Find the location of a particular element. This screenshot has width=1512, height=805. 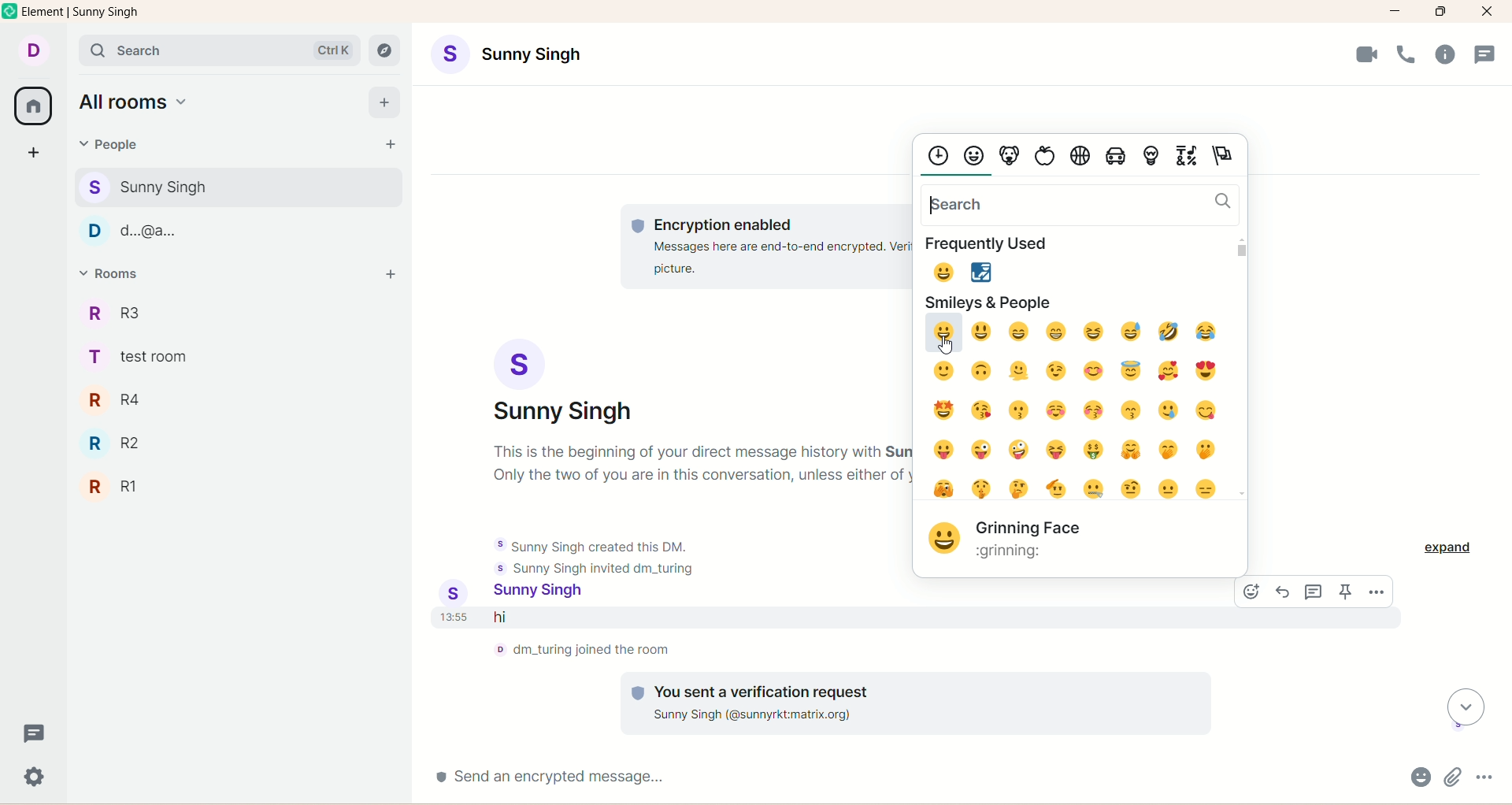

Grinning squinting face is located at coordinates (1094, 331).